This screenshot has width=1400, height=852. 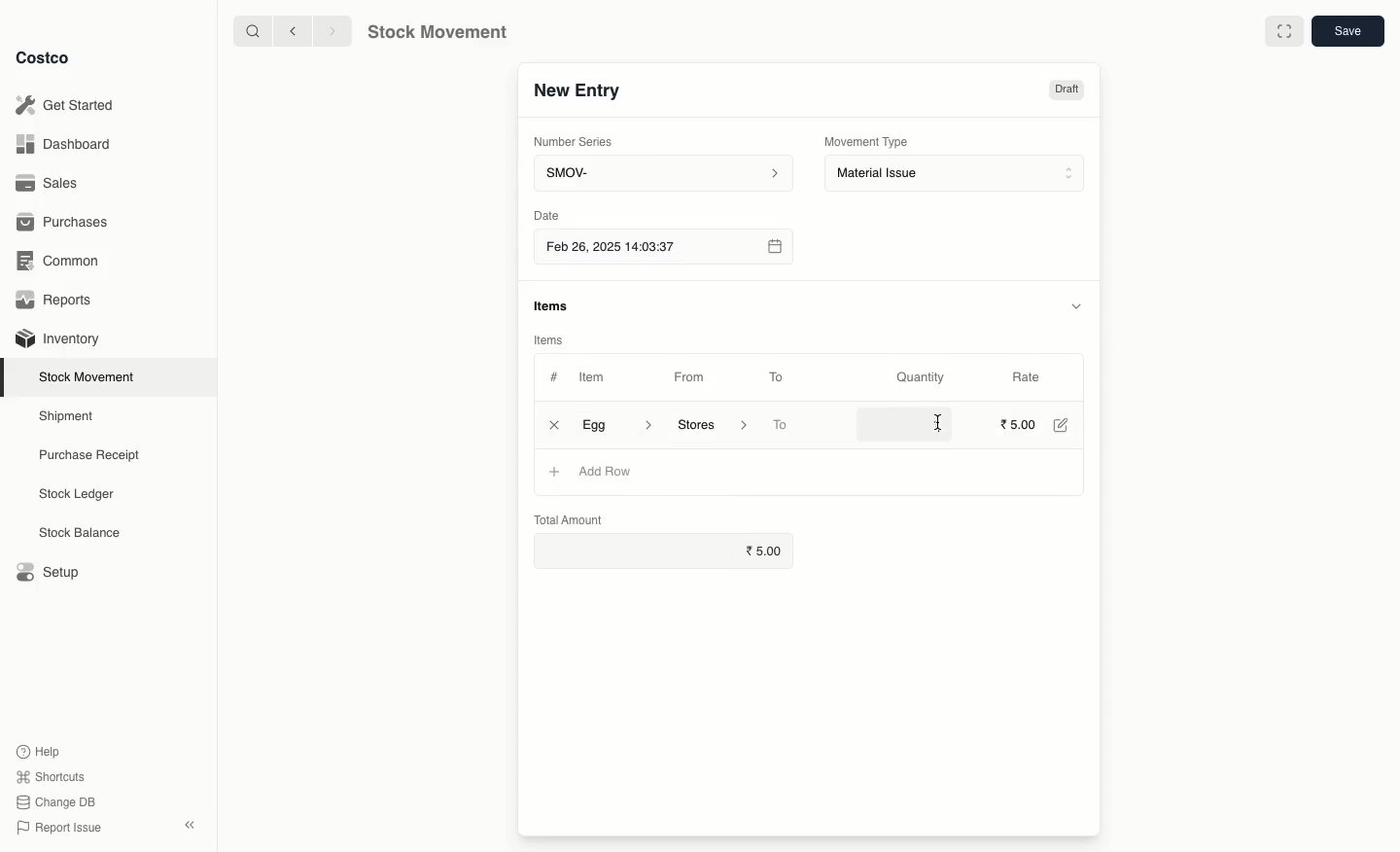 I want to click on From, so click(x=696, y=380).